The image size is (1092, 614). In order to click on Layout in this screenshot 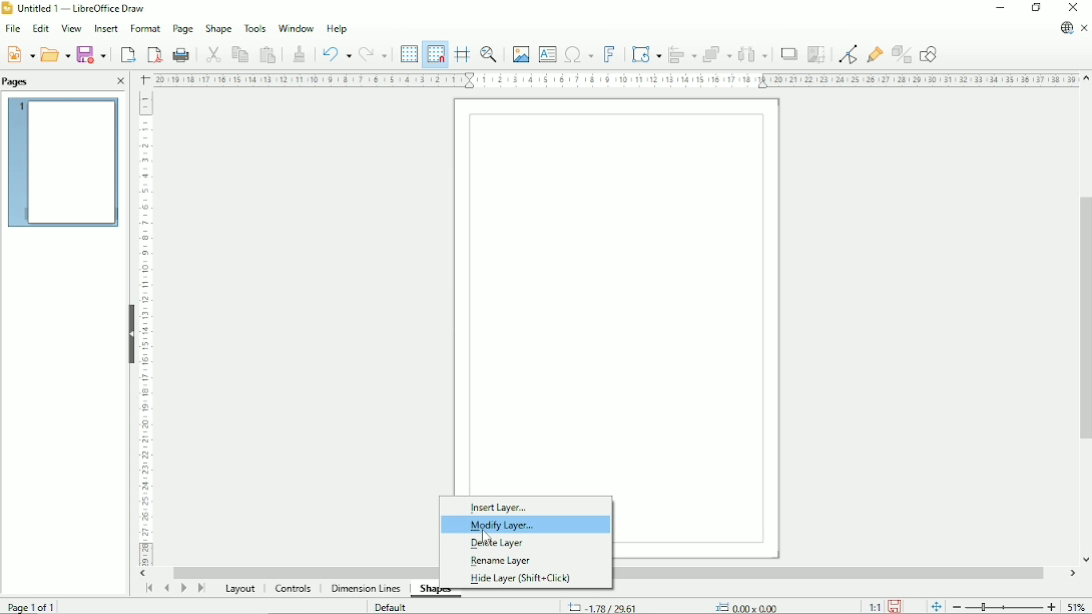, I will do `click(238, 590)`.